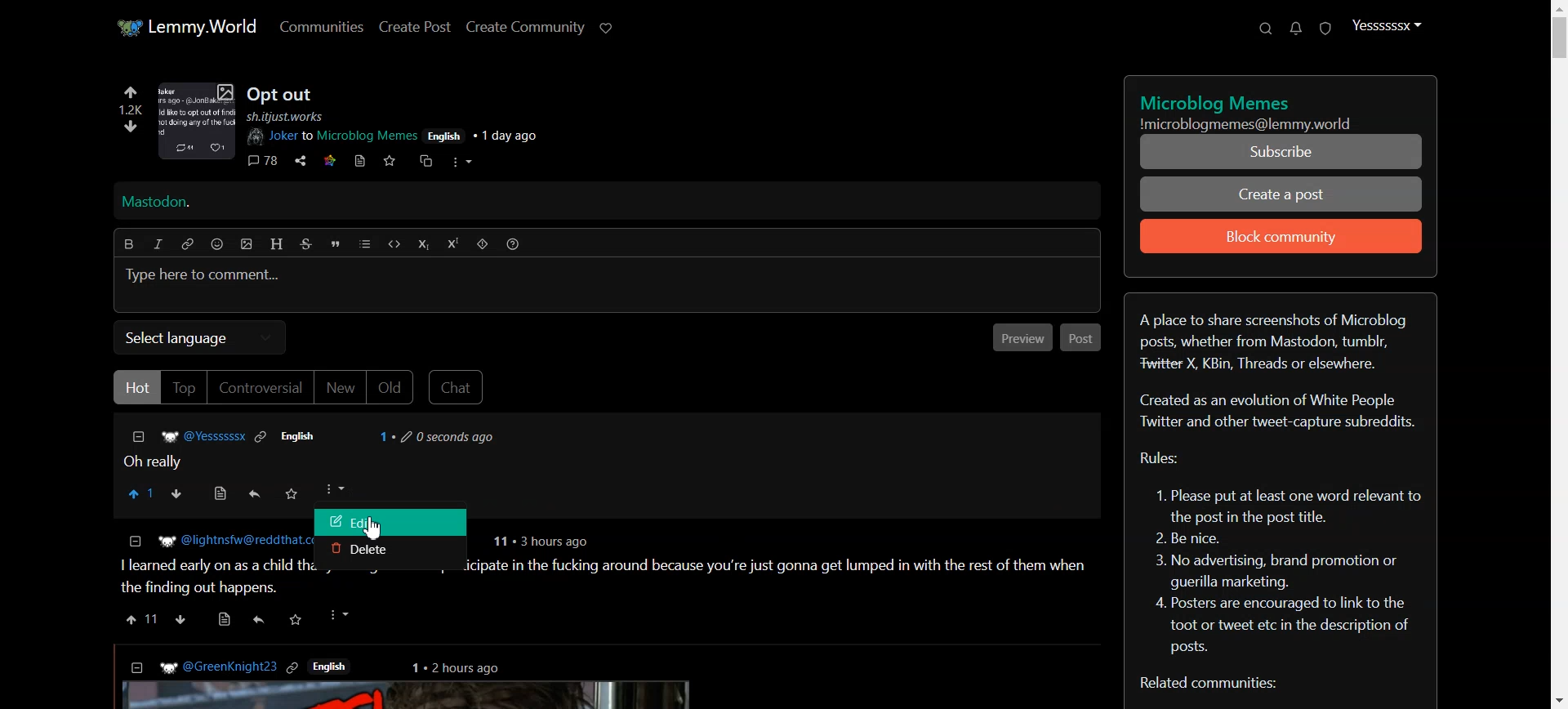 This screenshot has height=709, width=1568. What do you see at coordinates (142, 494) in the screenshot?
I see `Upvote` at bounding box center [142, 494].